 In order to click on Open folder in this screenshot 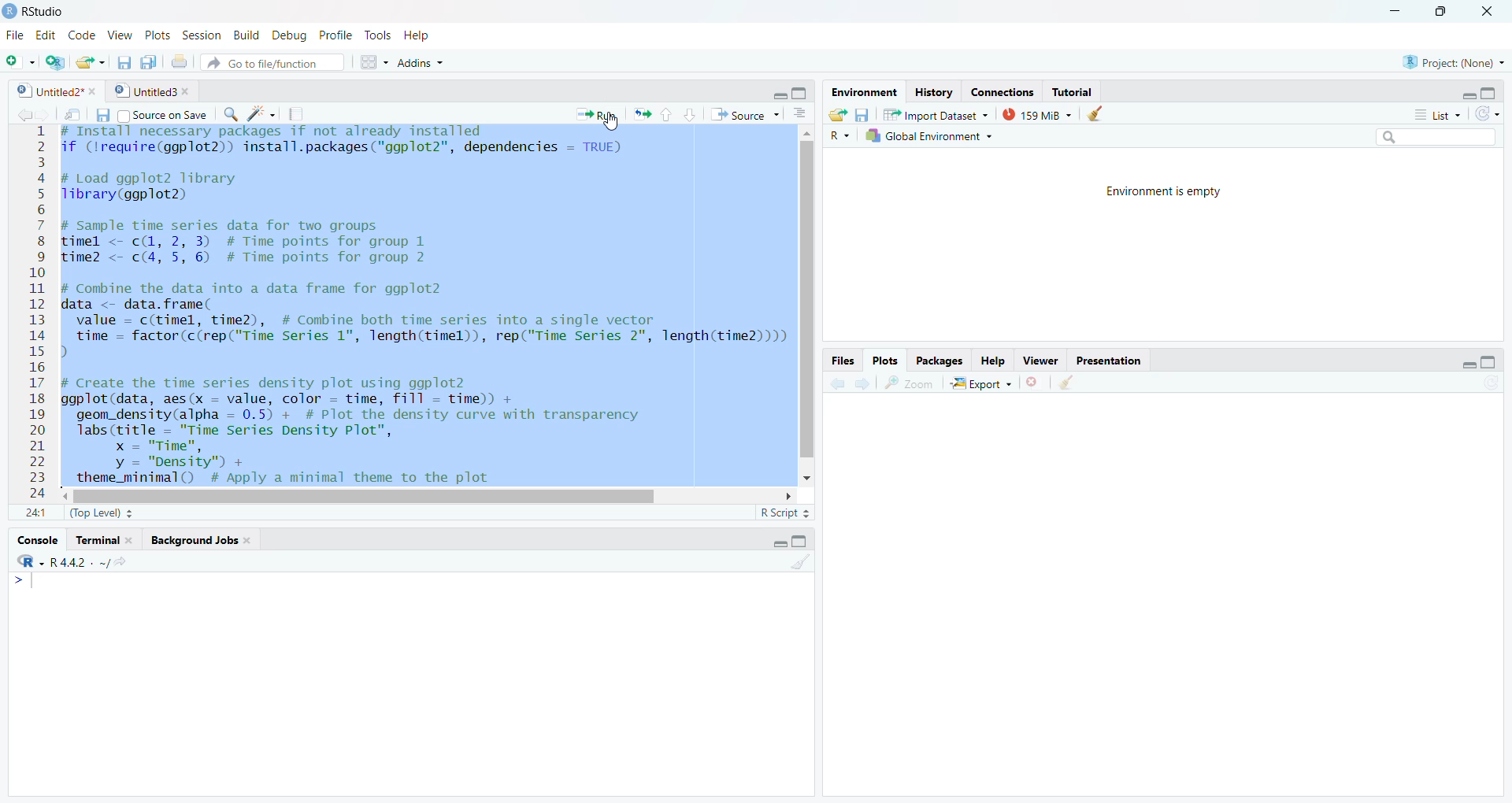, I will do `click(836, 115)`.